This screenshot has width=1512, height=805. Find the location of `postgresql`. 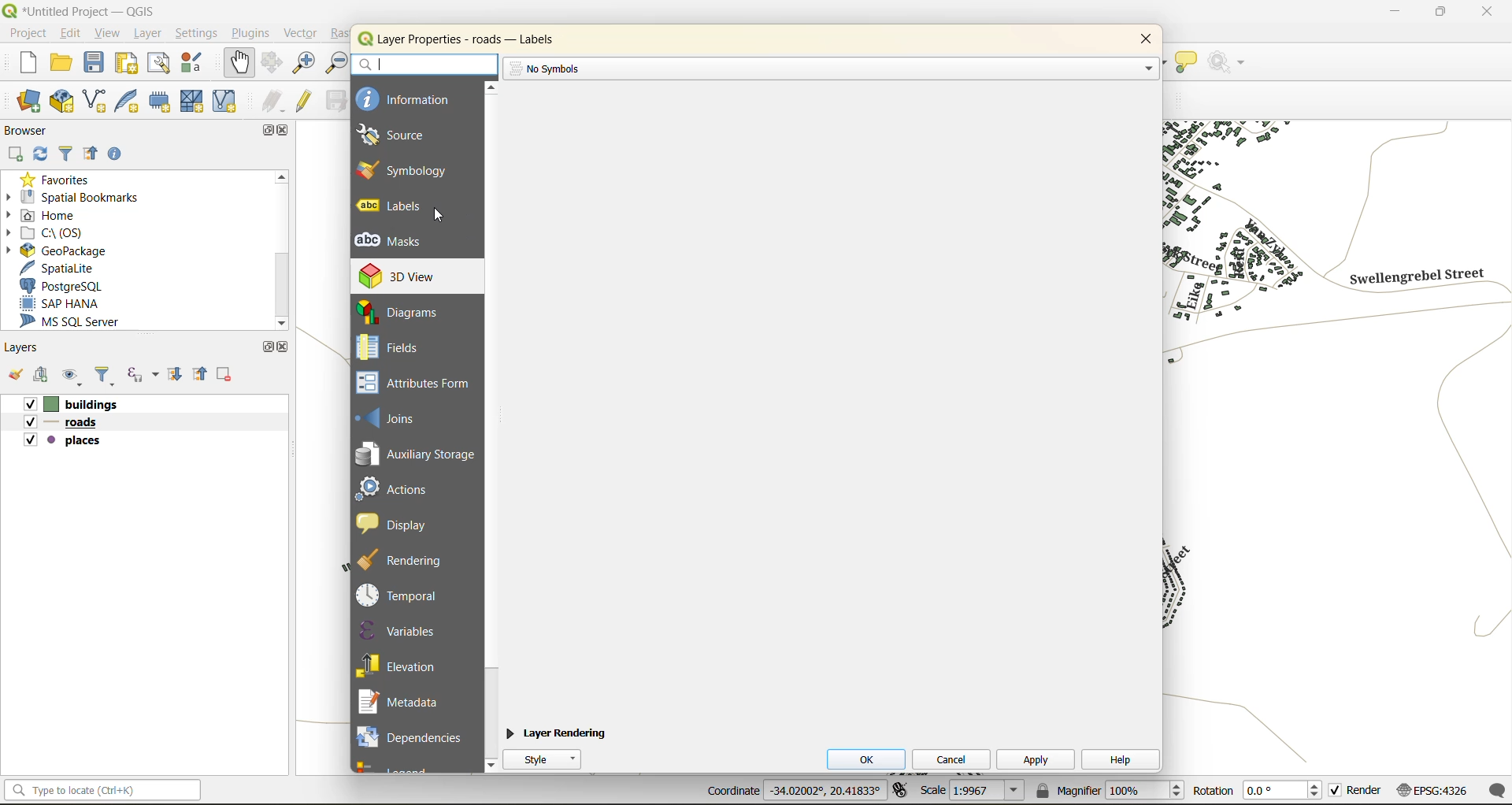

postgresql is located at coordinates (69, 284).